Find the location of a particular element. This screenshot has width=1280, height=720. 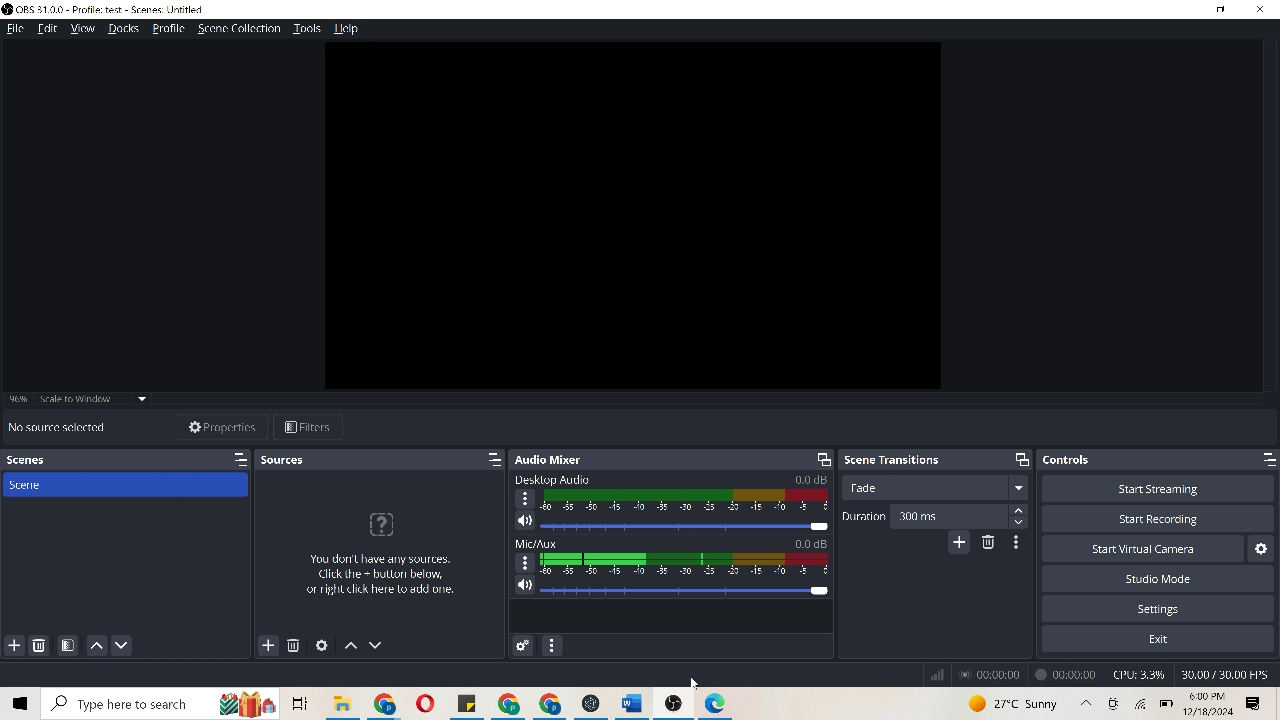

start virtual camera is located at coordinates (1156, 552).